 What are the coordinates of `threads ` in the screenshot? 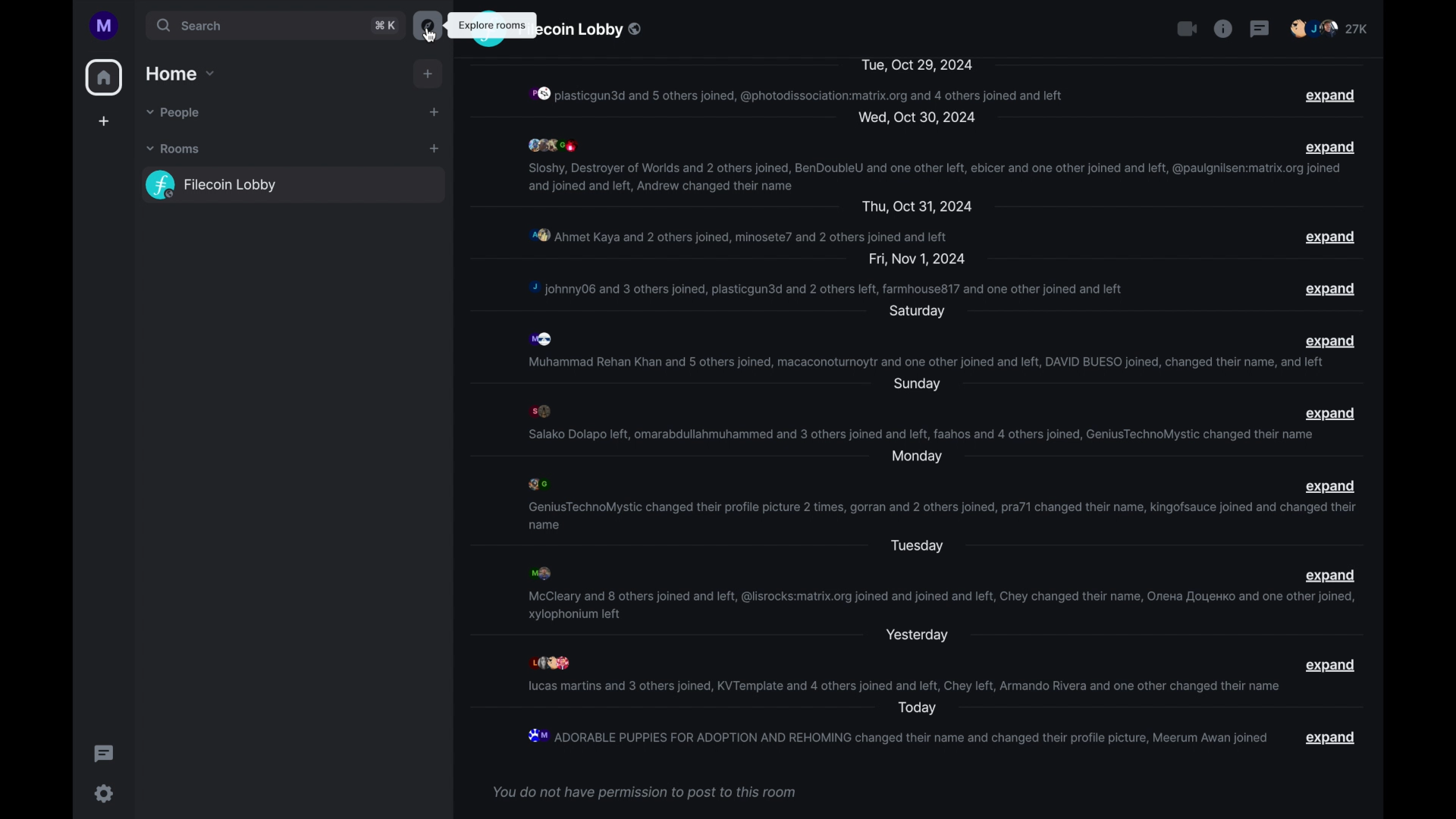 It's located at (1260, 28).